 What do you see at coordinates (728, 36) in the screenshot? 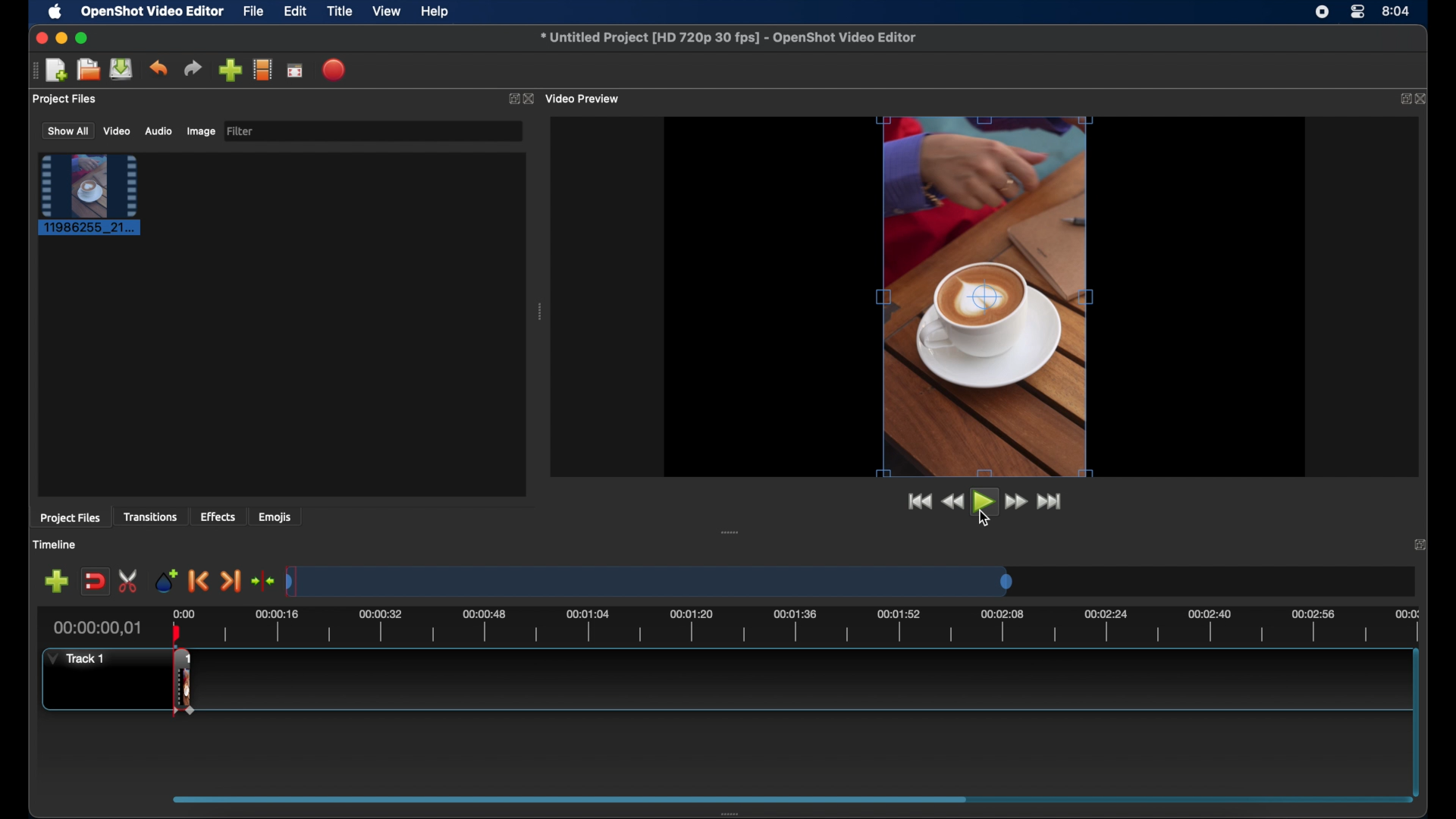
I see `file name` at bounding box center [728, 36].